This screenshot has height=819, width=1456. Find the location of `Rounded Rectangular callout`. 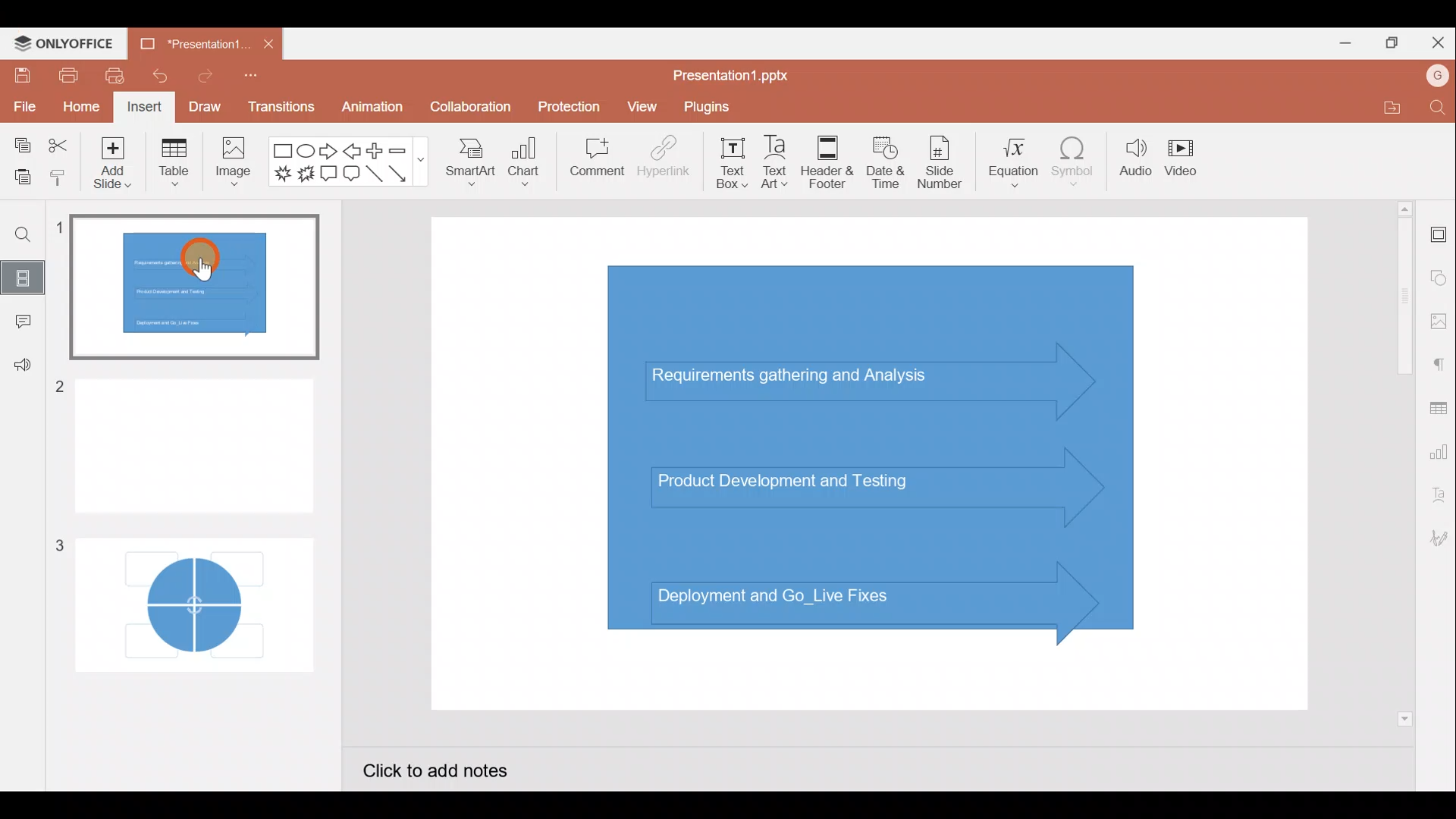

Rounded Rectangular callout is located at coordinates (351, 176).